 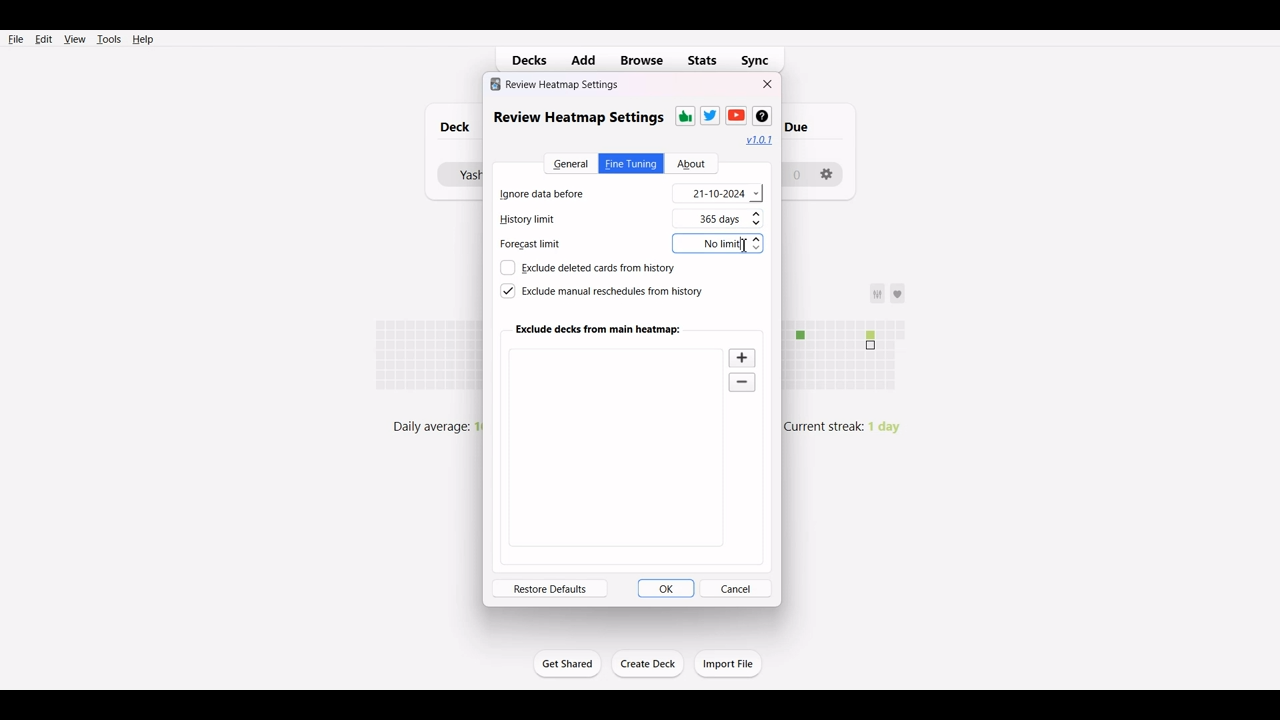 What do you see at coordinates (557, 192) in the screenshot?
I see `Ignore data before` at bounding box center [557, 192].